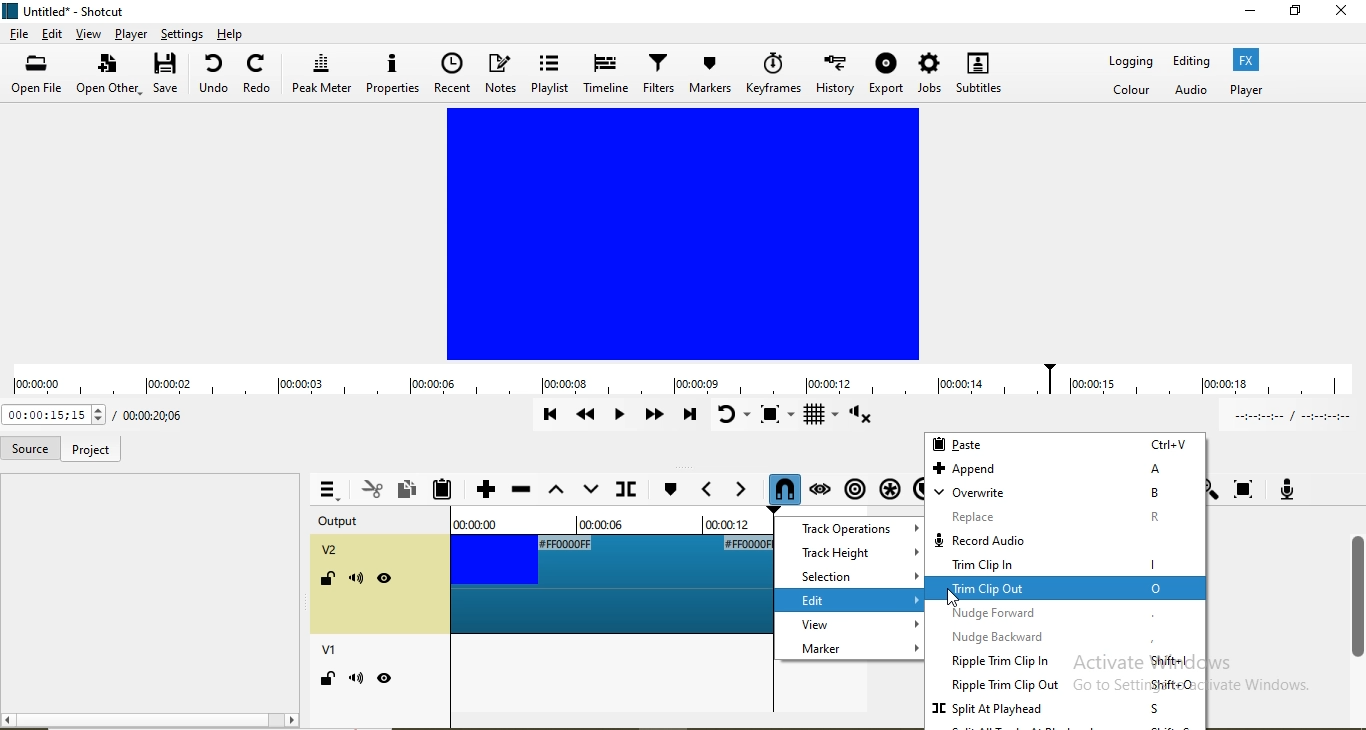 Image resolution: width=1366 pixels, height=730 pixels. Describe the element at coordinates (213, 77) in the screenshot. I see `undo` at that location.